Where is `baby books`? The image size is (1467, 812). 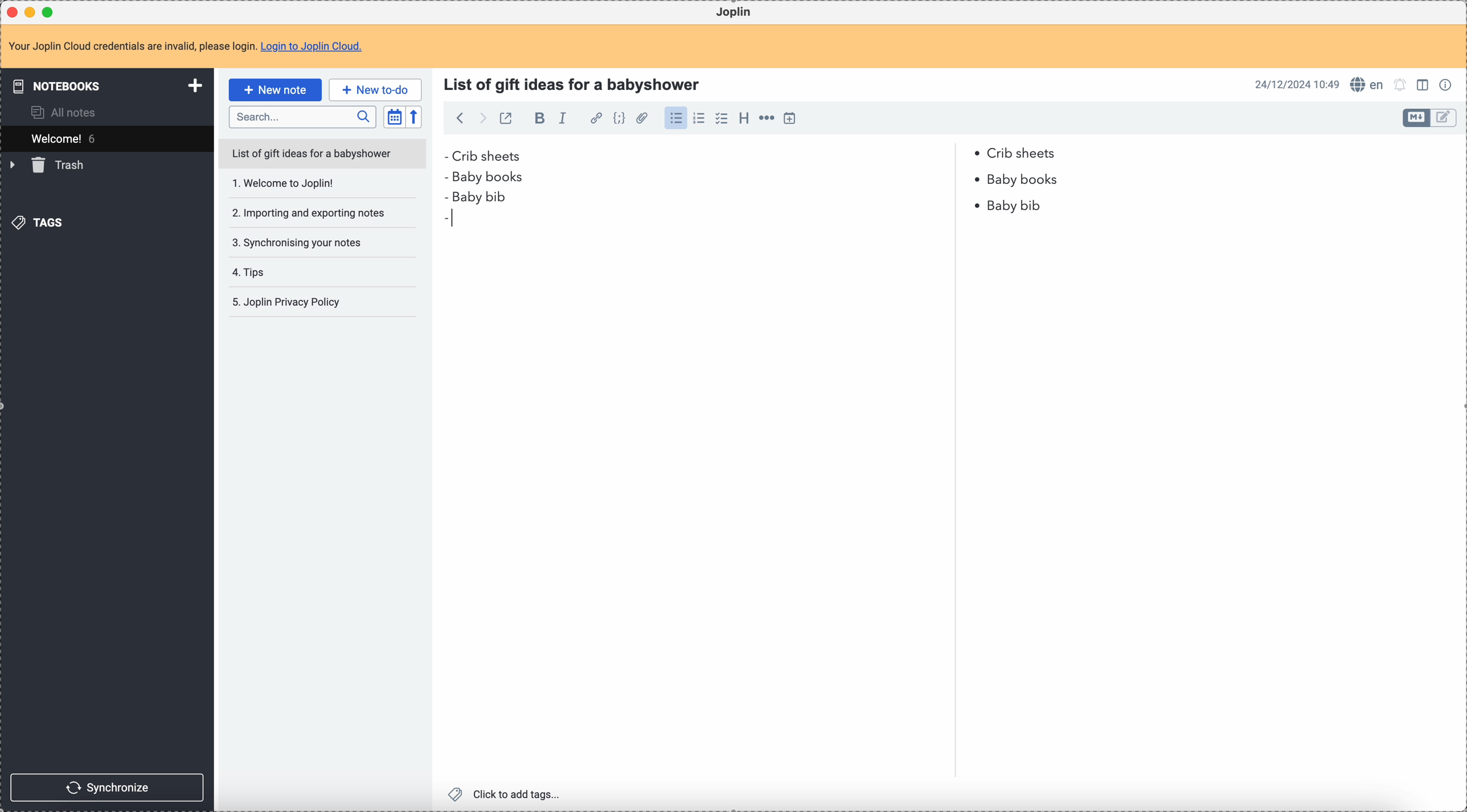
baby books is located at coordinates (1026, 180).